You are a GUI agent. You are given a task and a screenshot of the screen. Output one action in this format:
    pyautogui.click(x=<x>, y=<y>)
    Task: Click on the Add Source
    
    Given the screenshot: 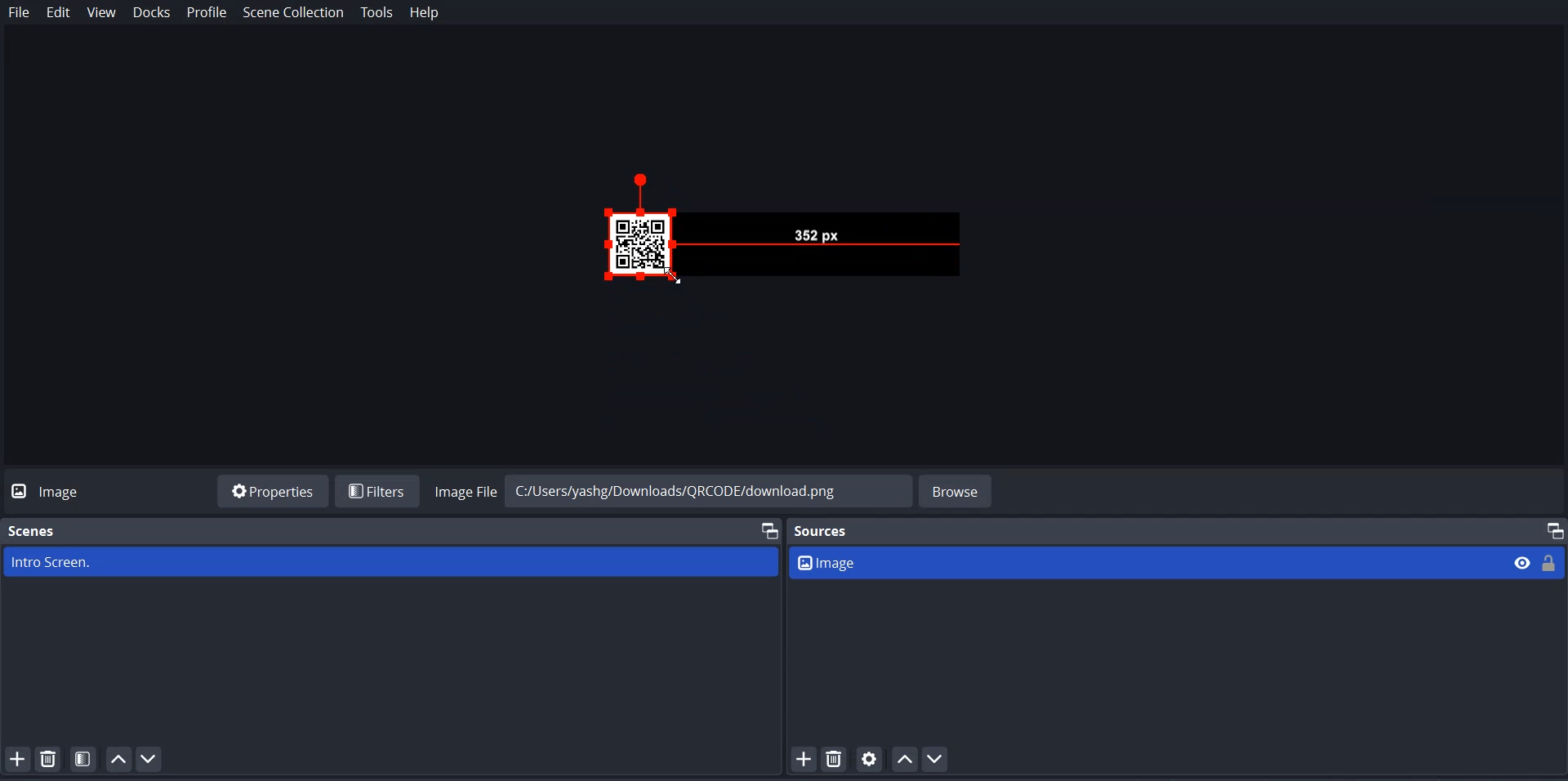 What is the action you would take?
    pyautogui.click(x=803, y=759)
    